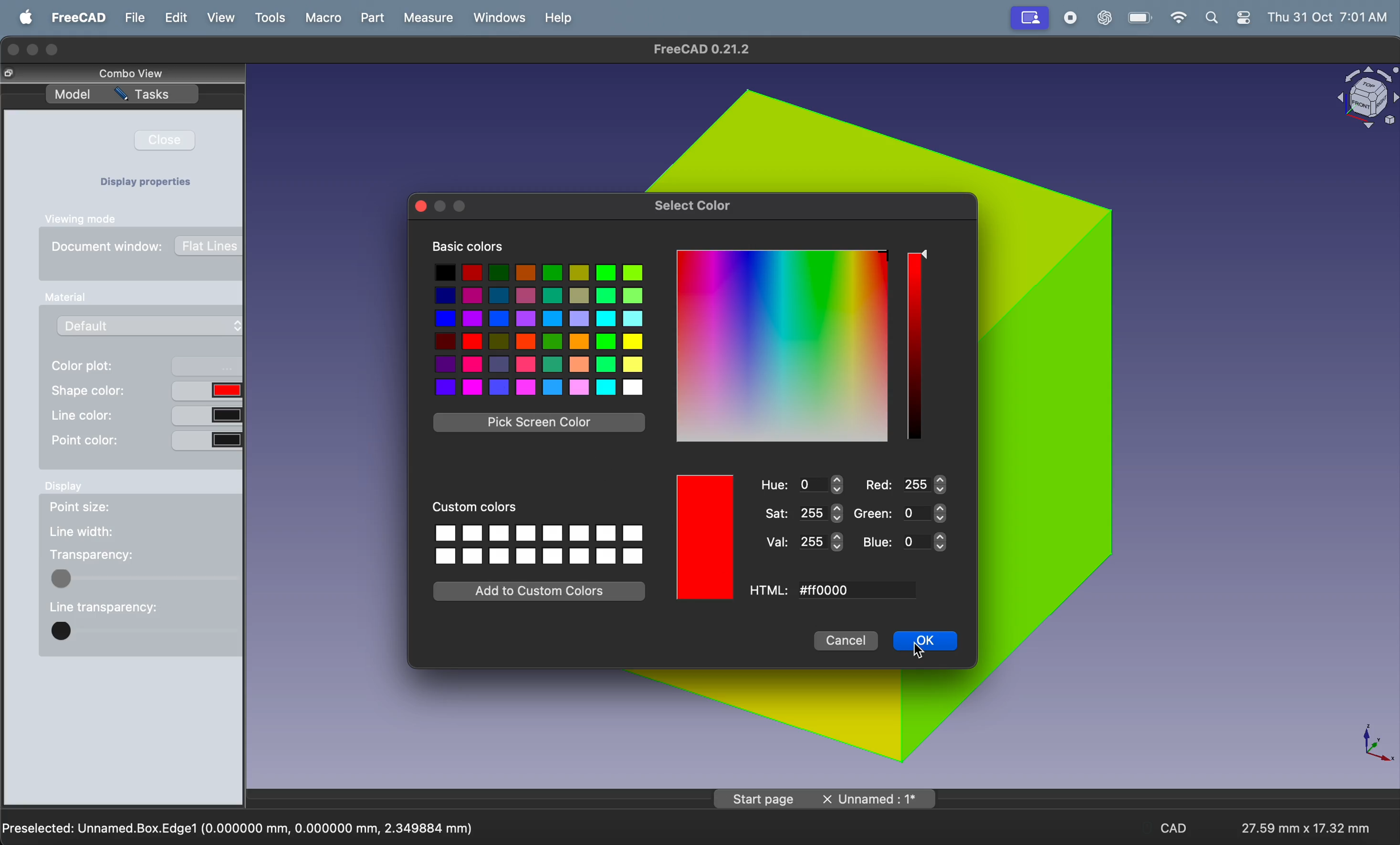 The width and height of the screenshot is (1400, 845). Describe the element at coordinates (152, 97) in the screenshot. I see `task` at that location.